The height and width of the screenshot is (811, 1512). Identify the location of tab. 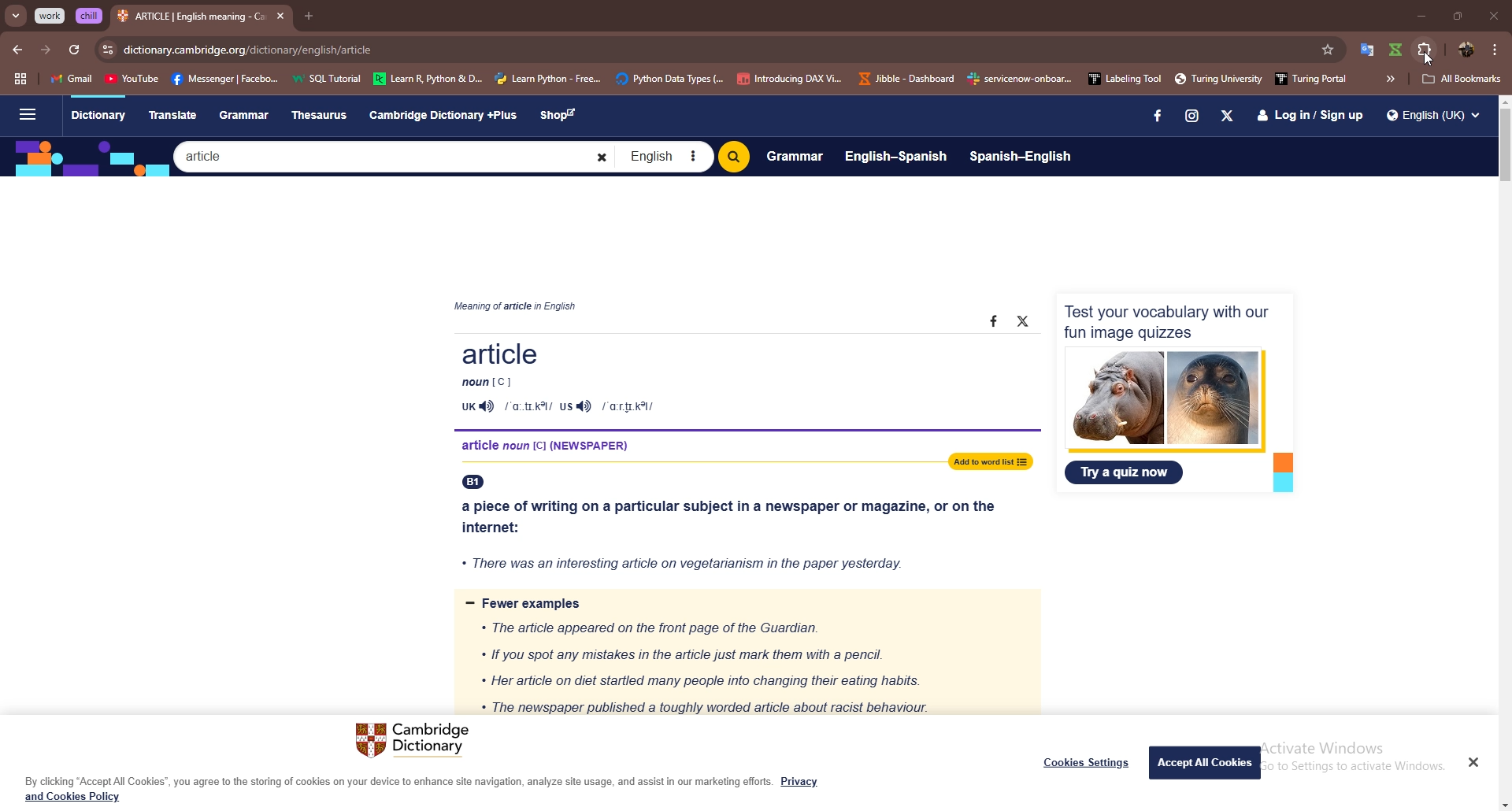
(191, 18).